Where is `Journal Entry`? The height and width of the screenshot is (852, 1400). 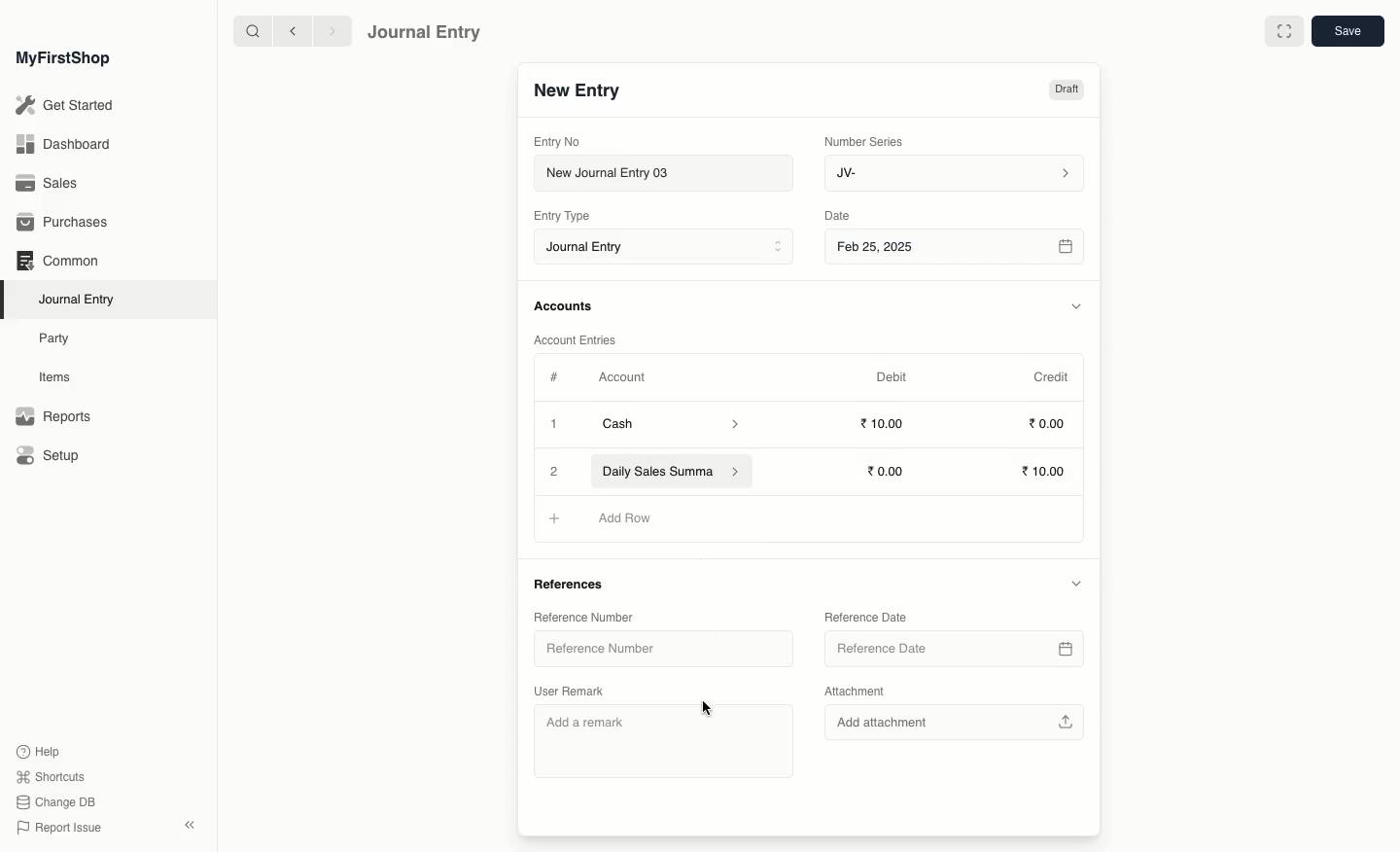
Journal Entry is located at coordinates (425, 31).